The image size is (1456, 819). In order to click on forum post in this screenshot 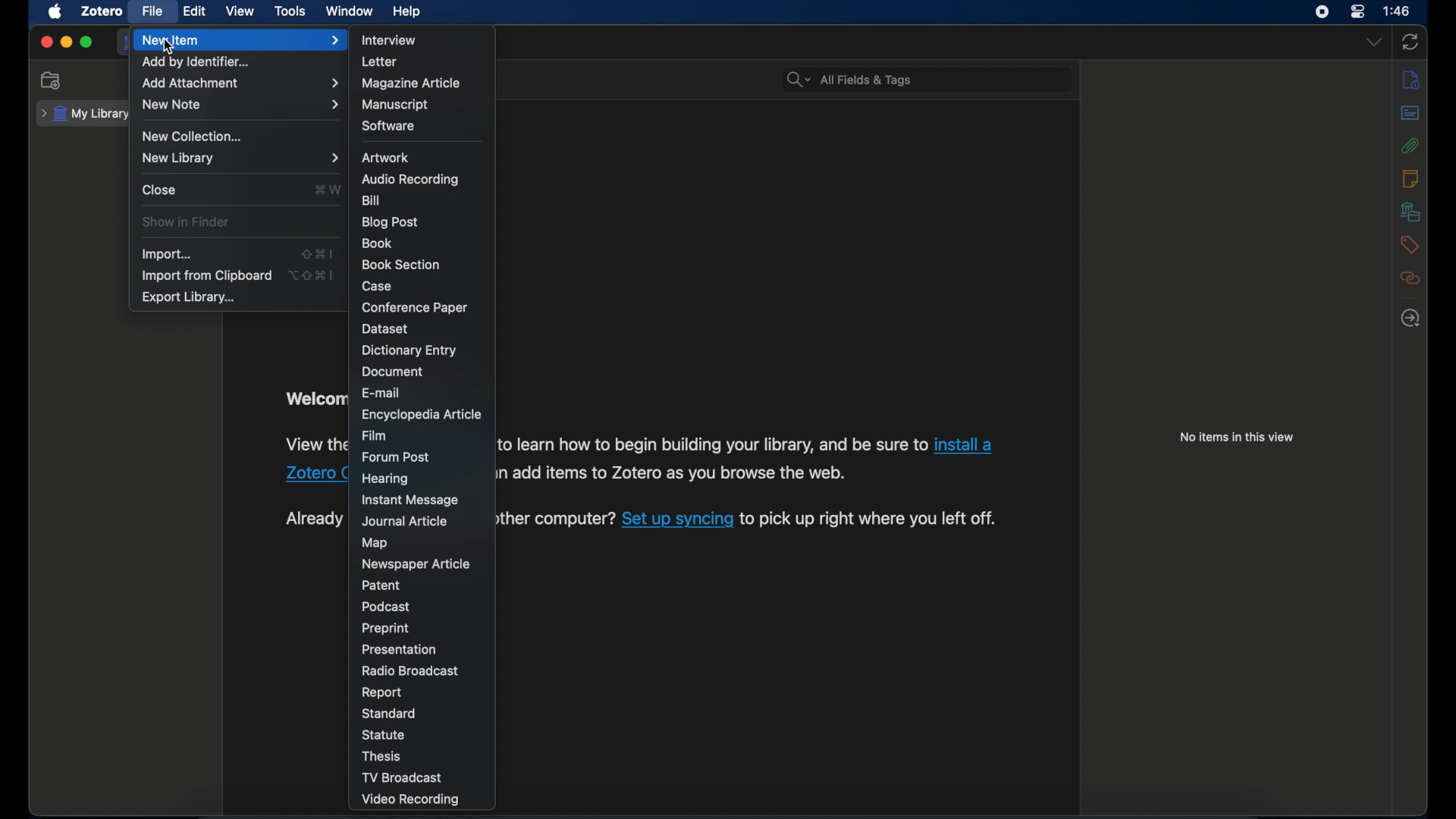, I will do `click(396, 457)`.